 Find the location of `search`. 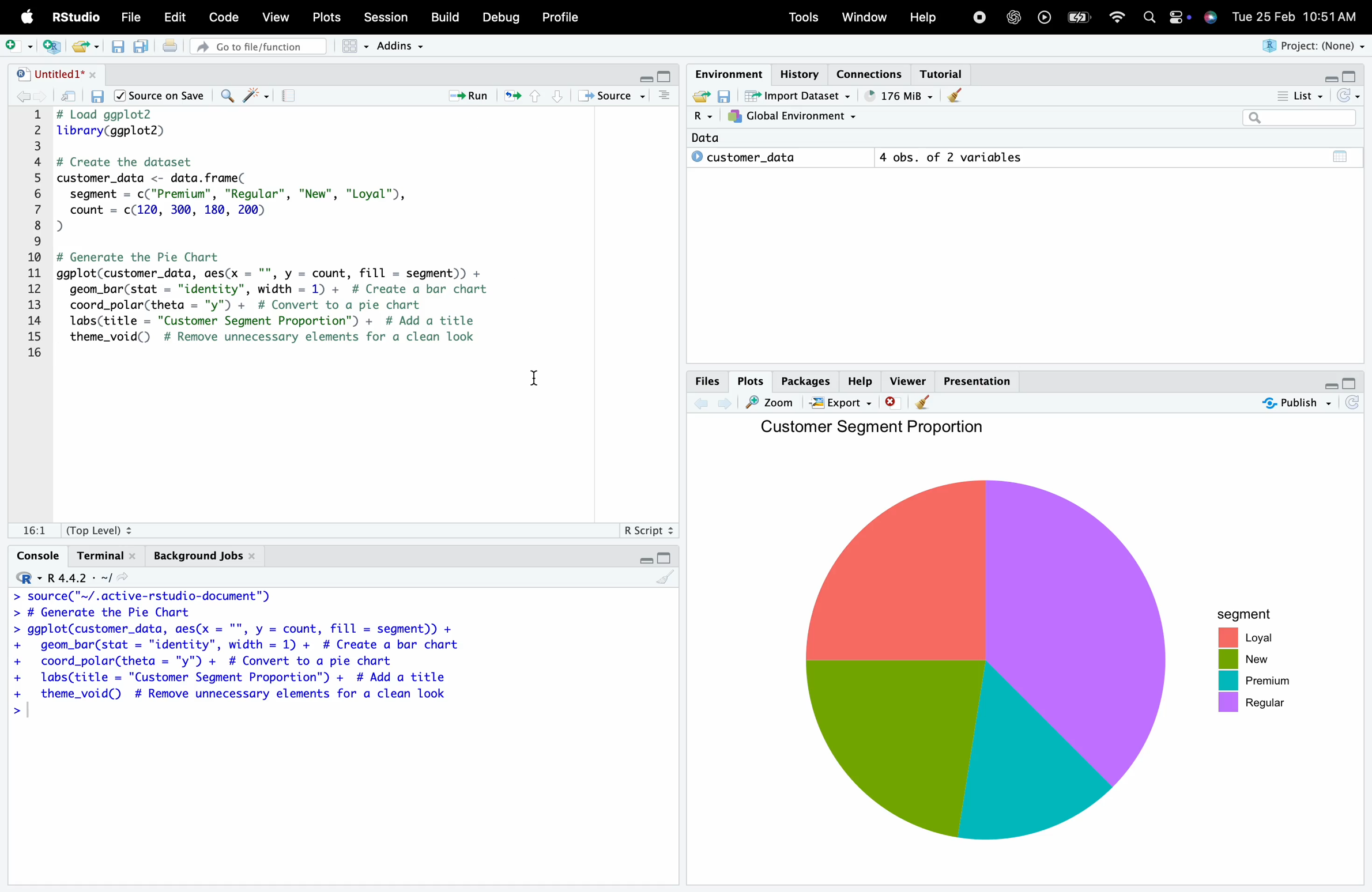

search is located at coordinates (228, 98).